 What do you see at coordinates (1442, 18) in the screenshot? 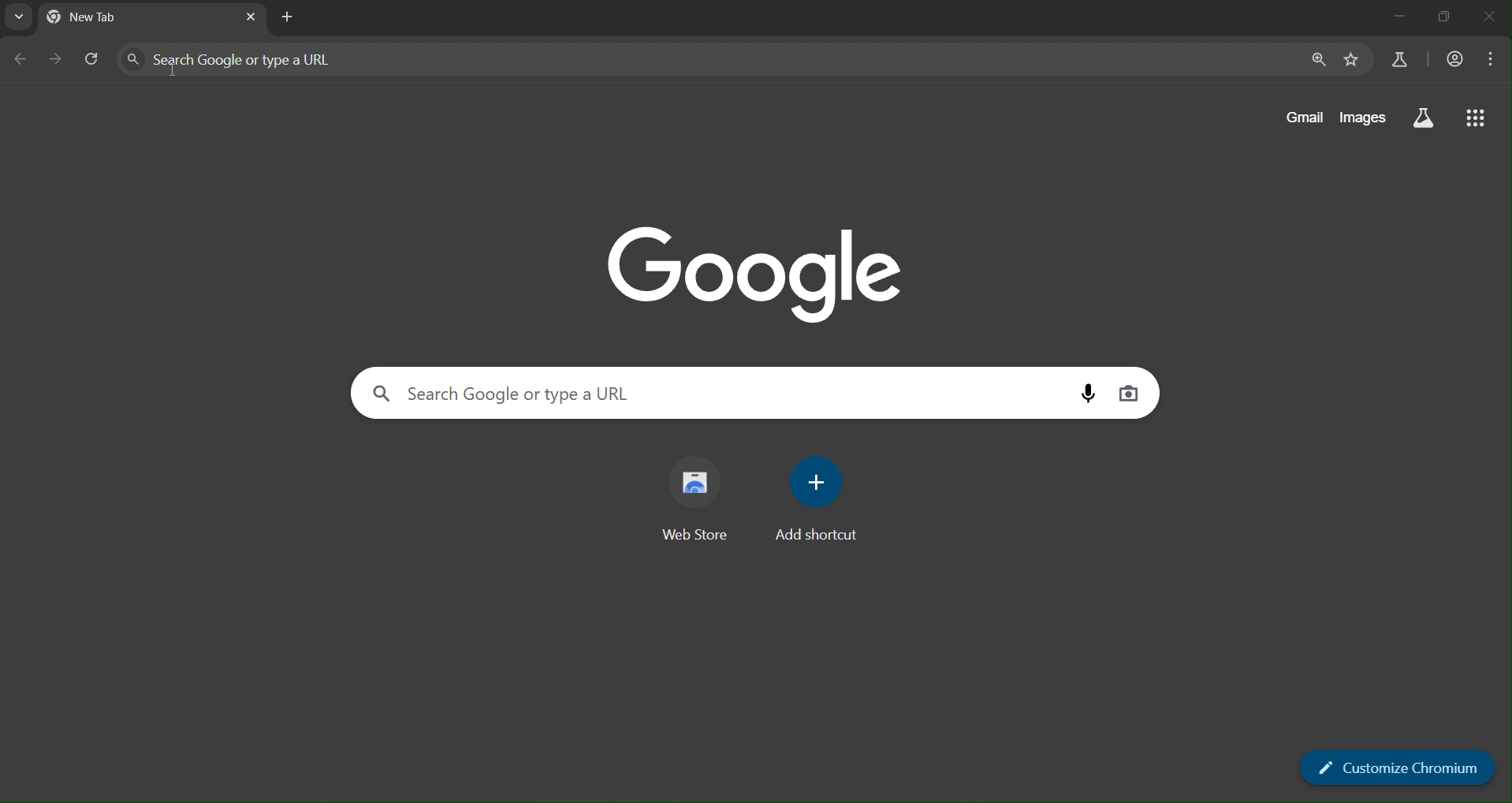
I see `restore down` at bounding box center [1442, 18].